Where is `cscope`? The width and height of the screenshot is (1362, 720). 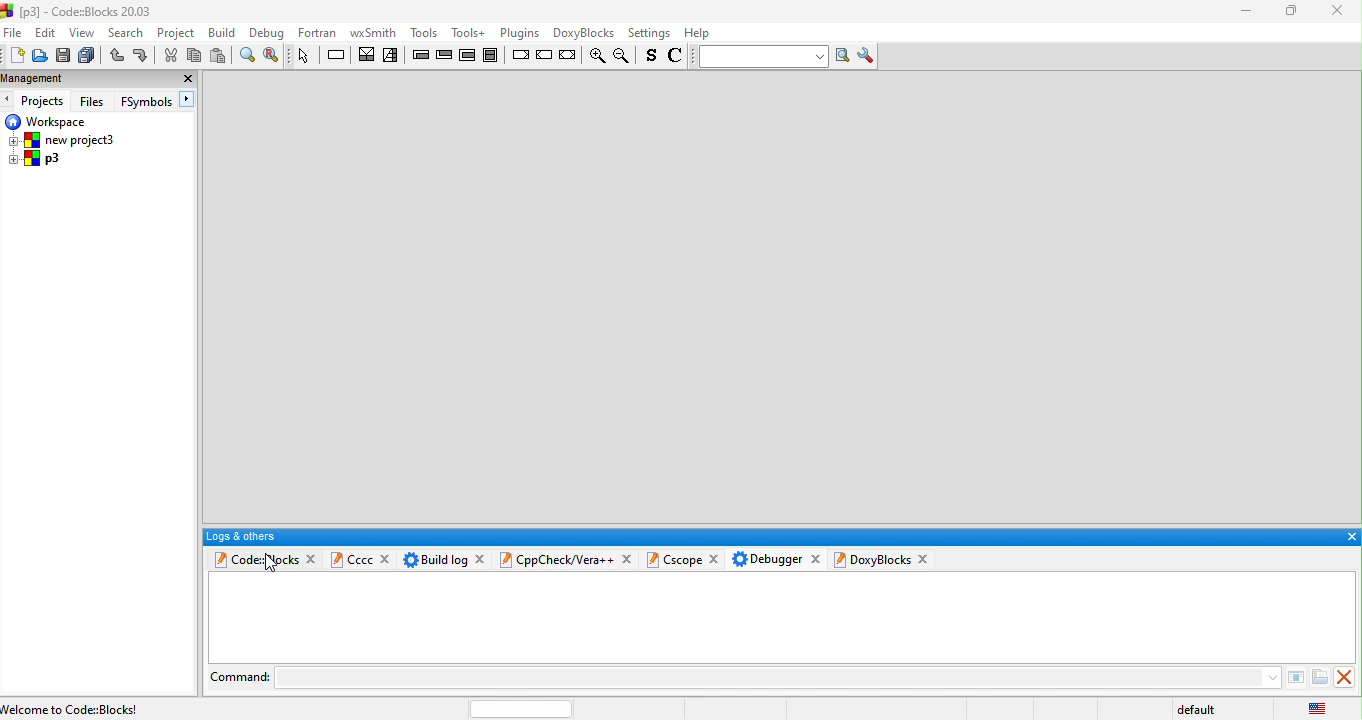 cscope is located at coordinates (676, 559).